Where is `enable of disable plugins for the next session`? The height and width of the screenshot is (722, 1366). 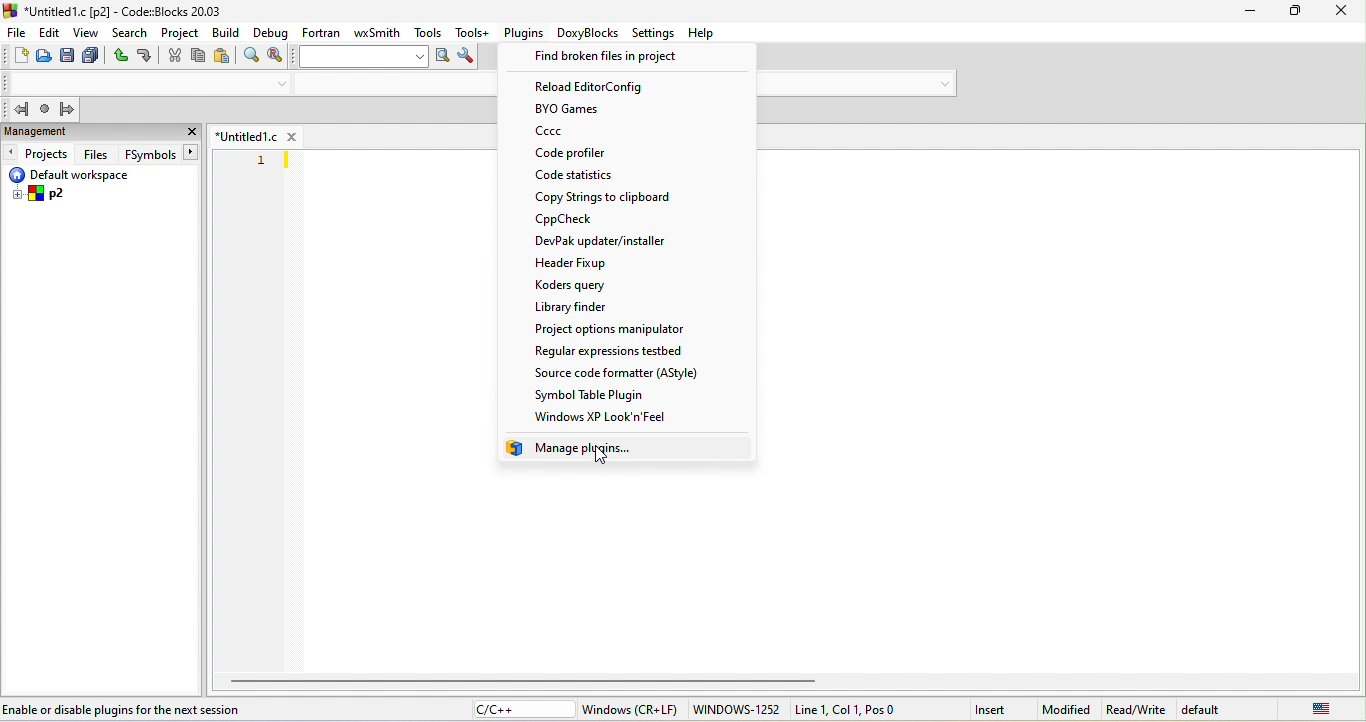 enable of disable plugins for the next session is located at coordinates (131, 707).